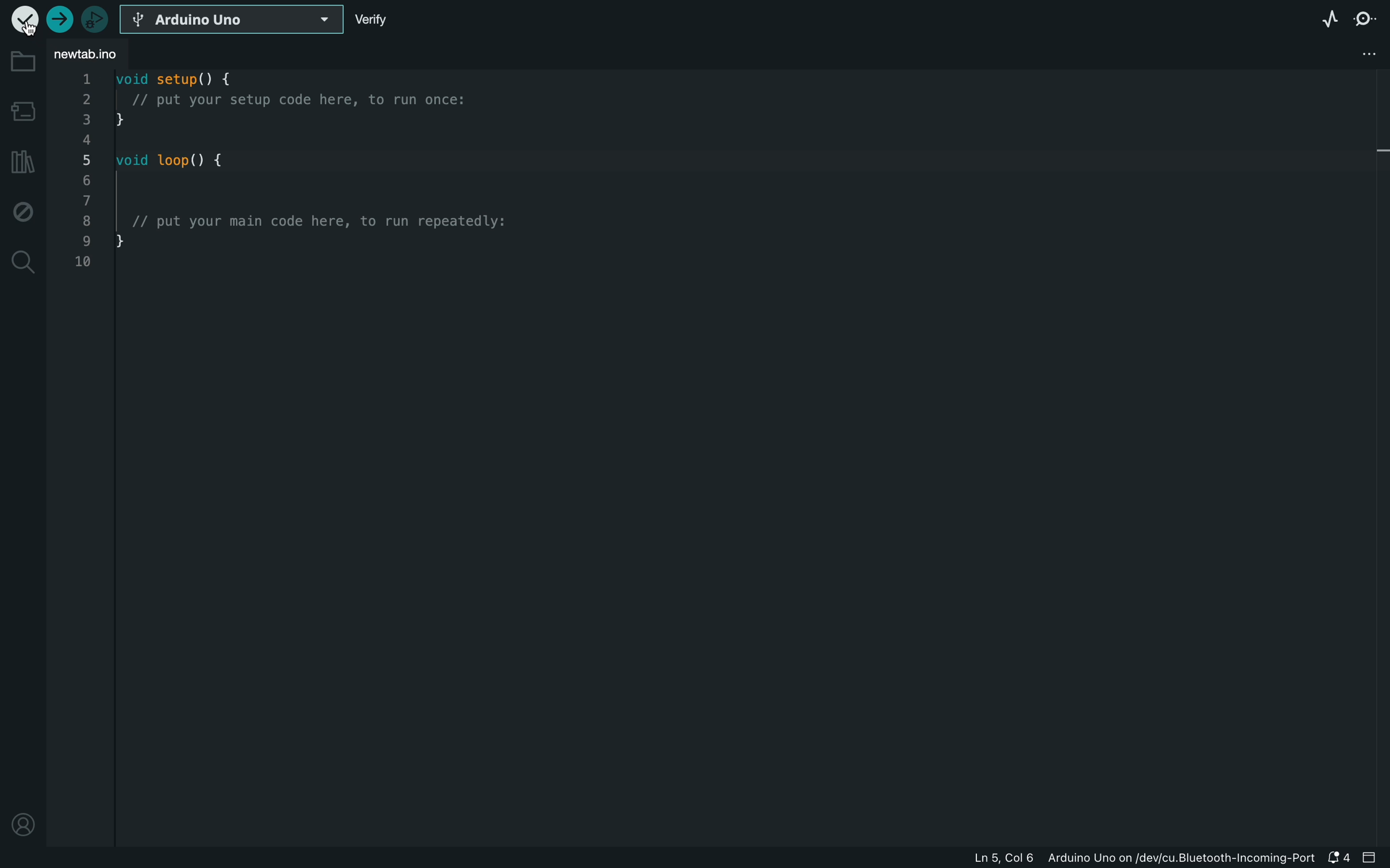 The height and width of the screenshot is (868, 1390). I want to click on select board, so click(235, 22).